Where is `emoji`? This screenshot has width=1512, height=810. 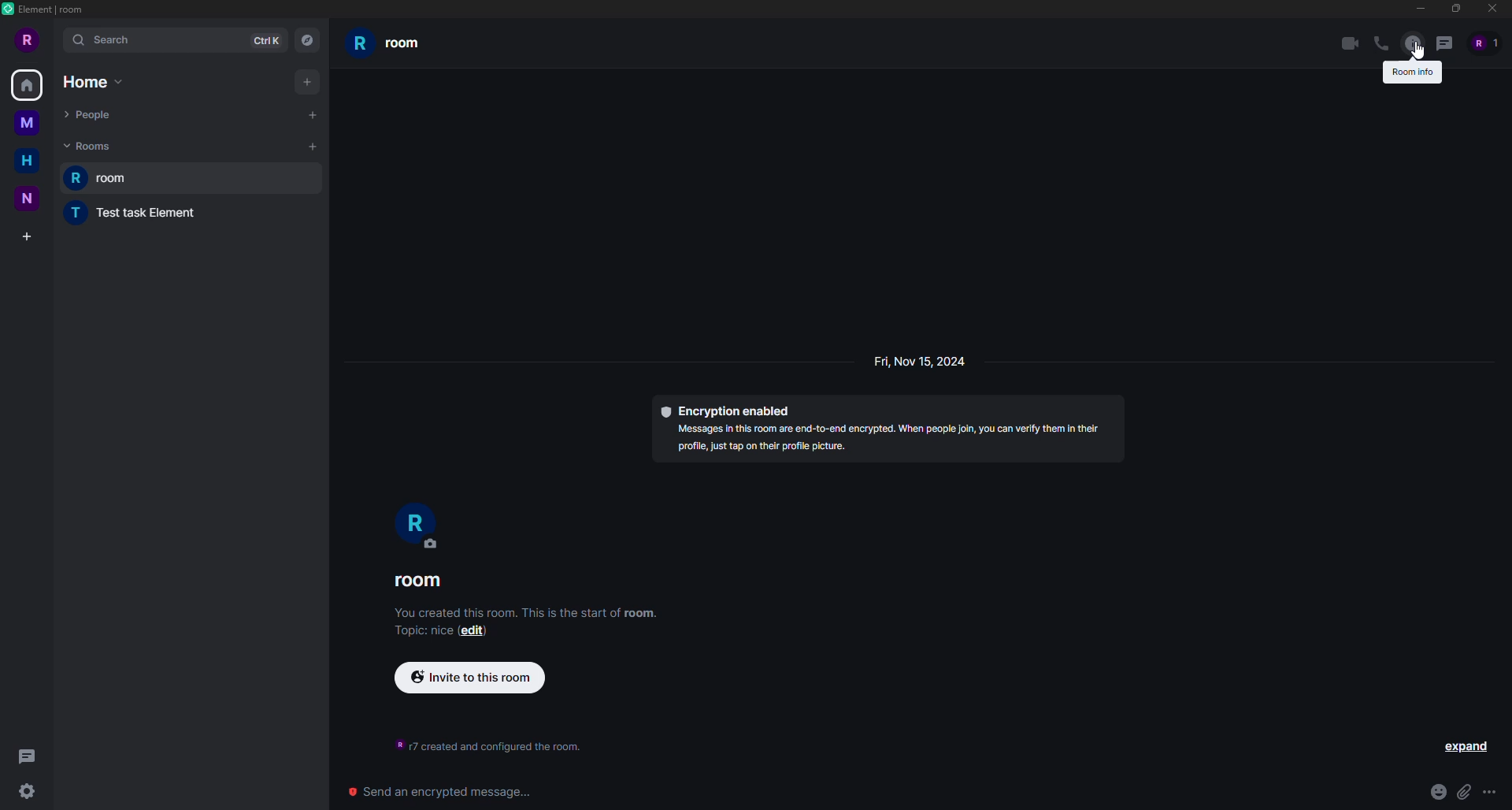
emoji is located at coordinates (1436, 790).